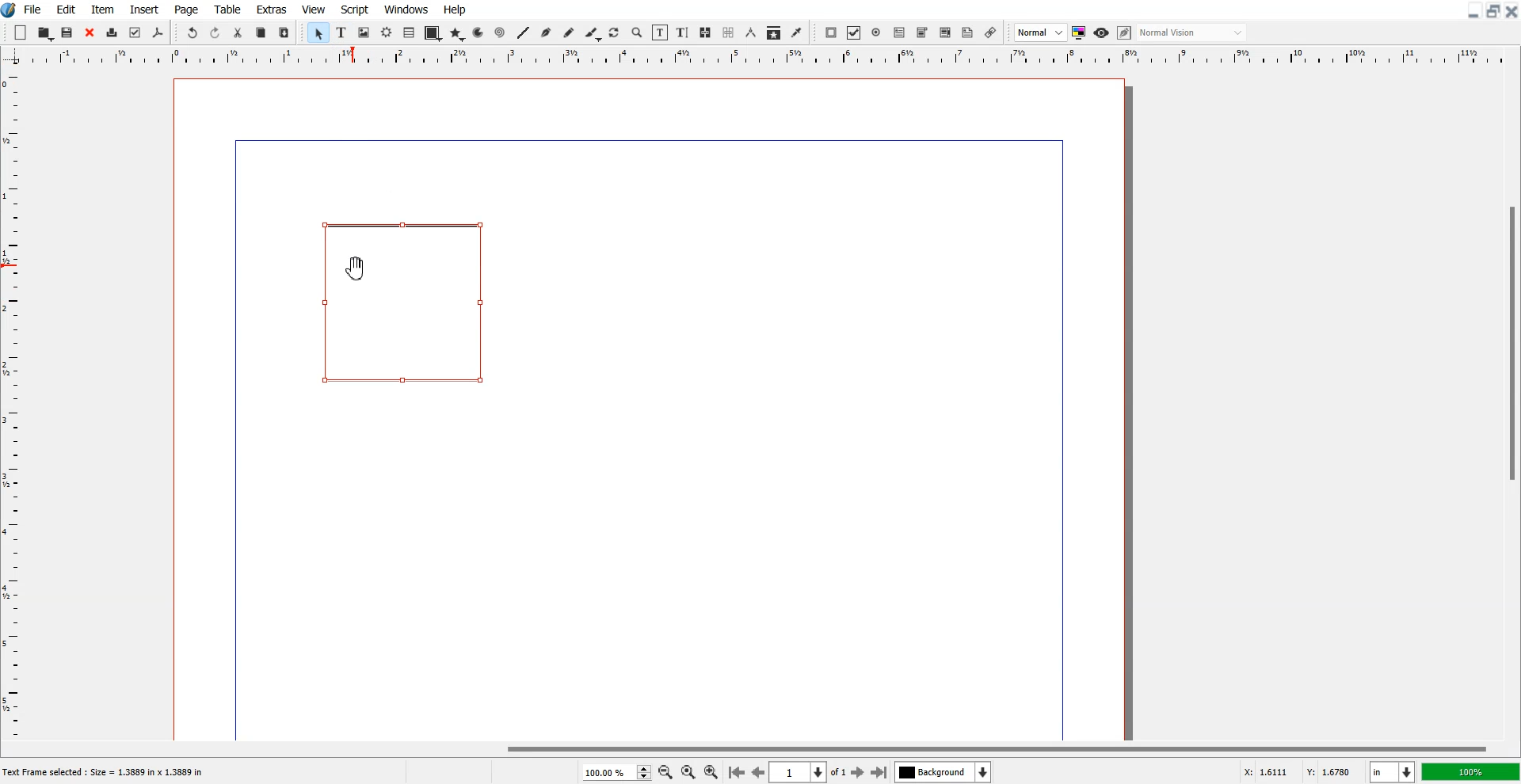  What do you see at coordinates (711, 771) in the screenshot?
I see `Zoom In` at bounding box center [711, 771].